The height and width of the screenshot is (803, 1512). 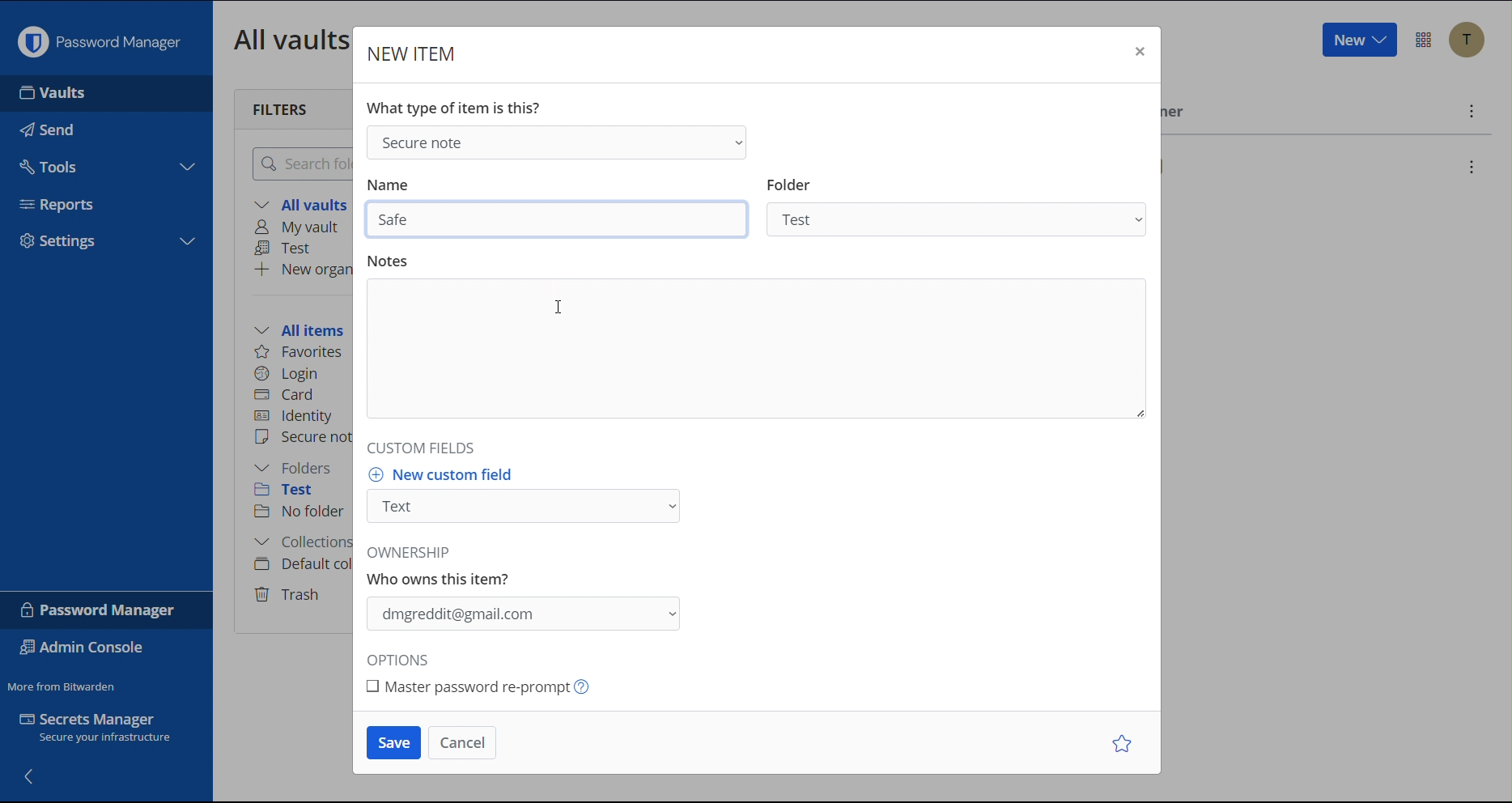 What do you see at coordinates (290, 592) in the screenshot?
I see `Trash` at bounding box center [290, 592].